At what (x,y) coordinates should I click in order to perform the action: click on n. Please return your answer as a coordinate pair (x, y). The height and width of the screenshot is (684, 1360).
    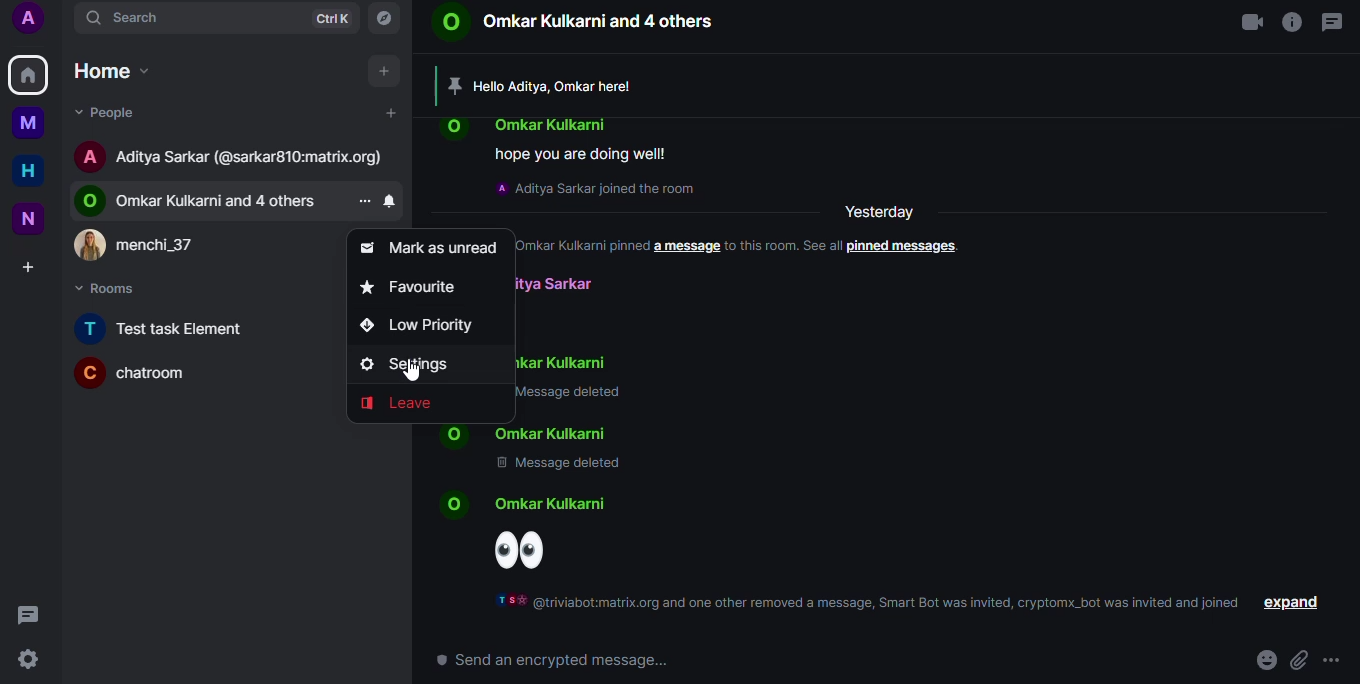
    Looking at the image, I should click on (35, 218).